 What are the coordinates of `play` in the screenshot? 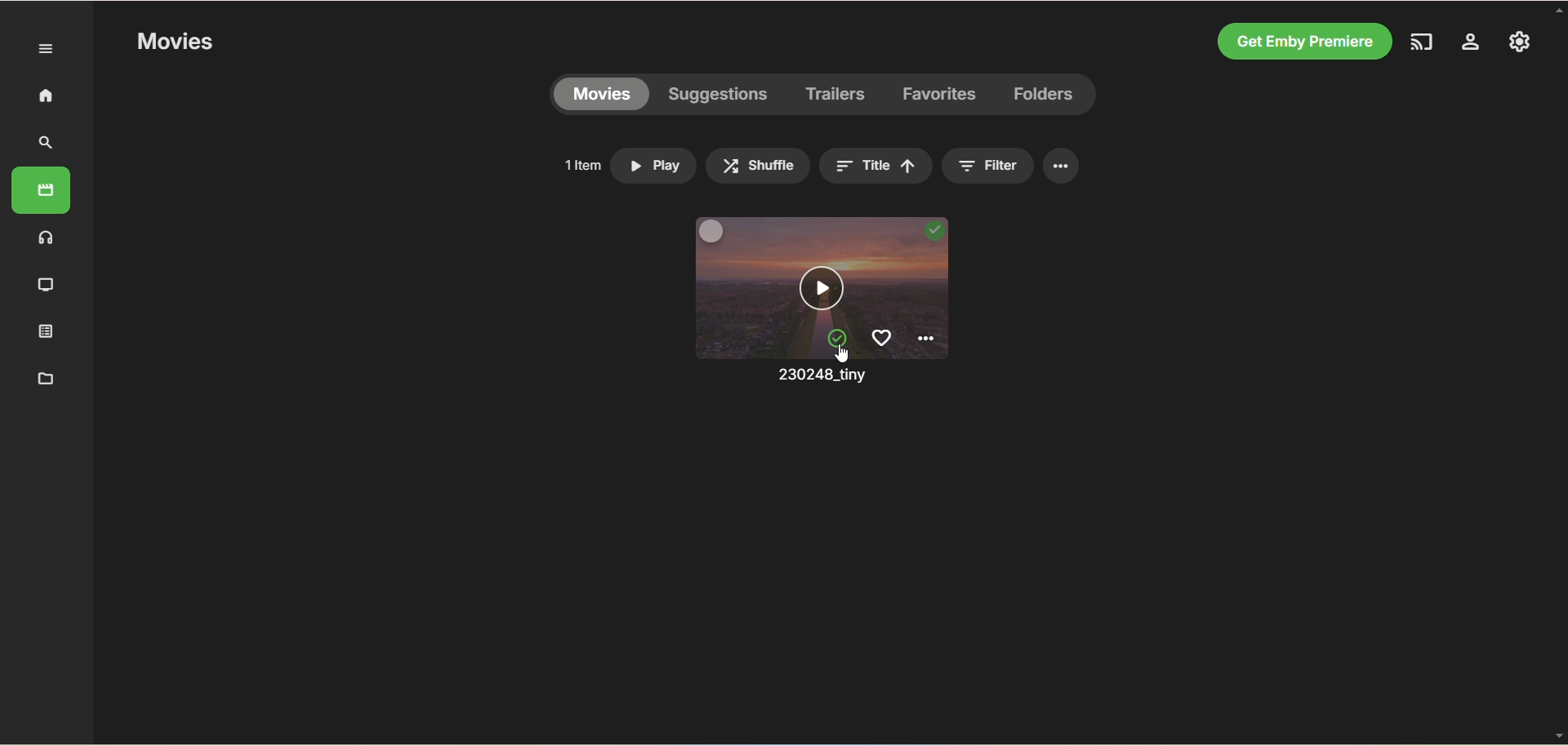 It's located at (656, 167).